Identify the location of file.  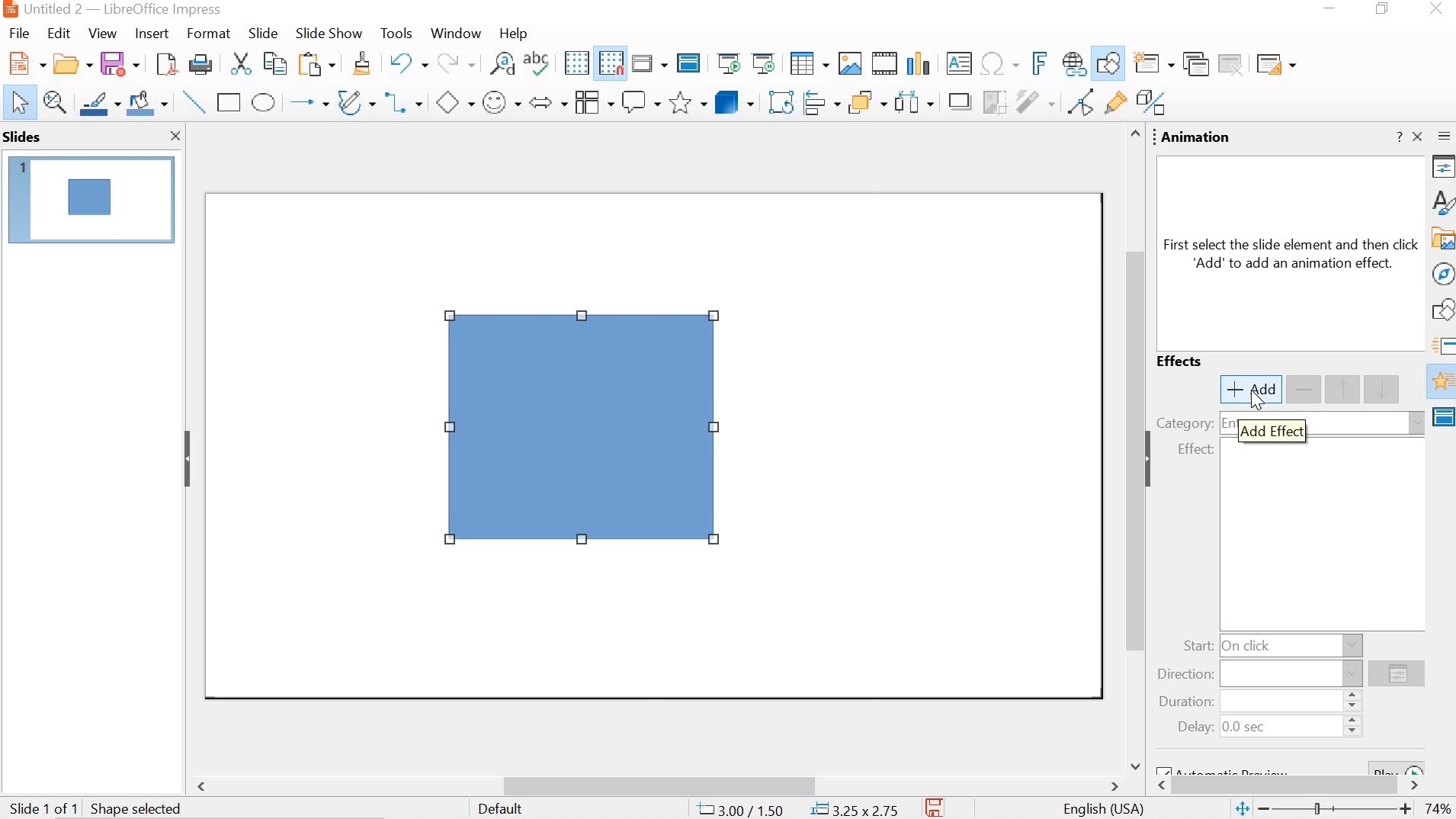
(19, 34).